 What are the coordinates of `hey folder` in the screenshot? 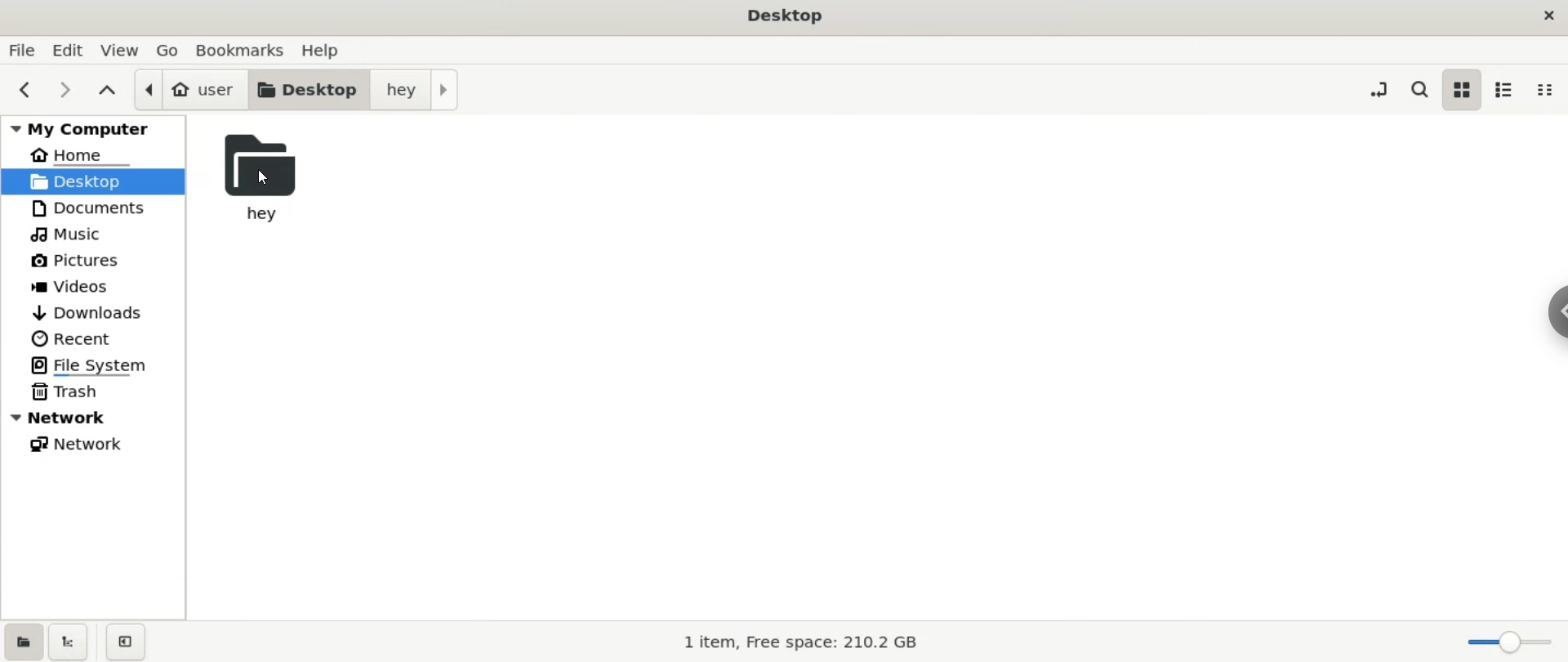 It's located at (272, 181).